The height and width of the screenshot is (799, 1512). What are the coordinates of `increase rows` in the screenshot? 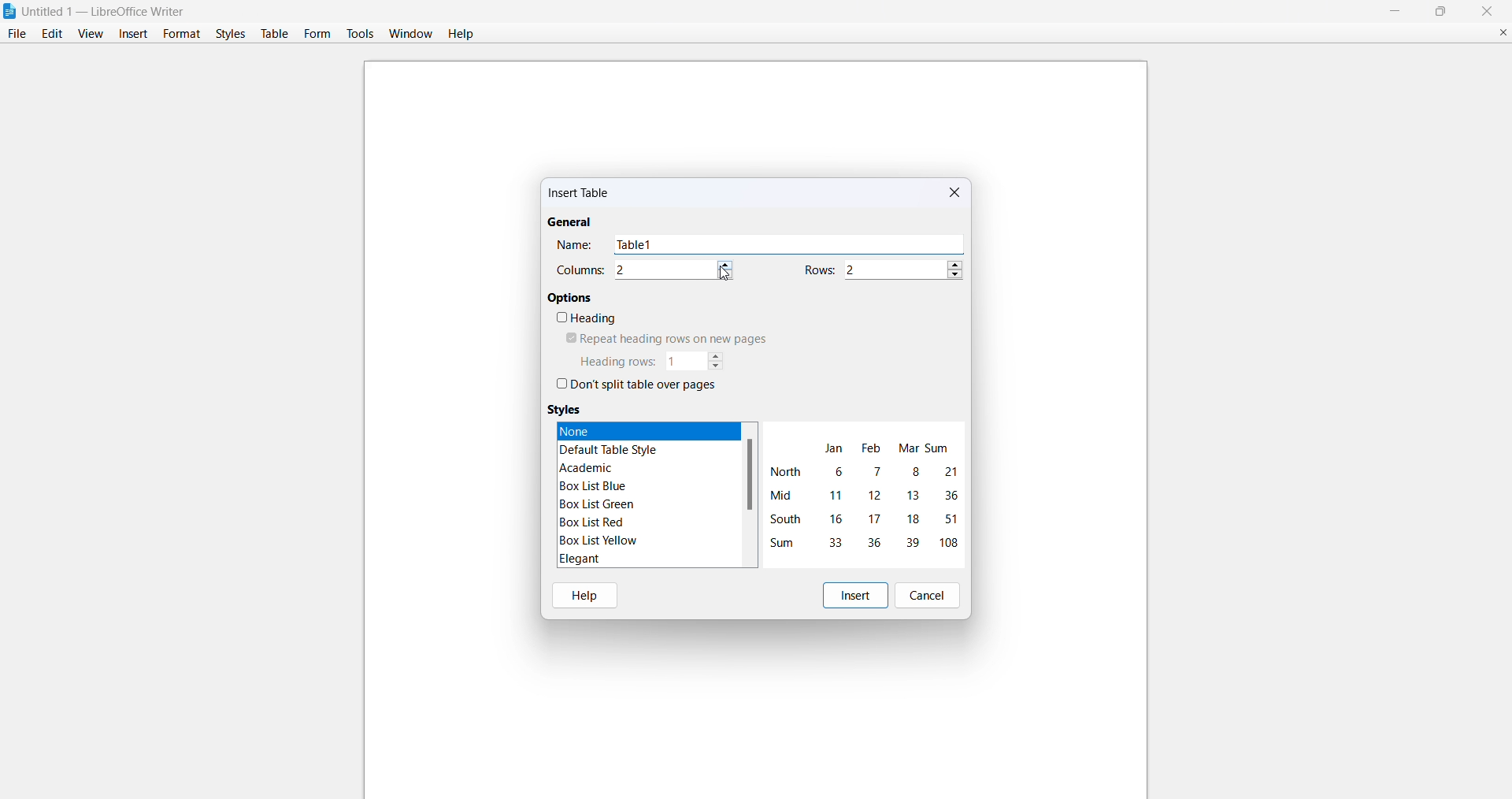 It's located at (955, 263).